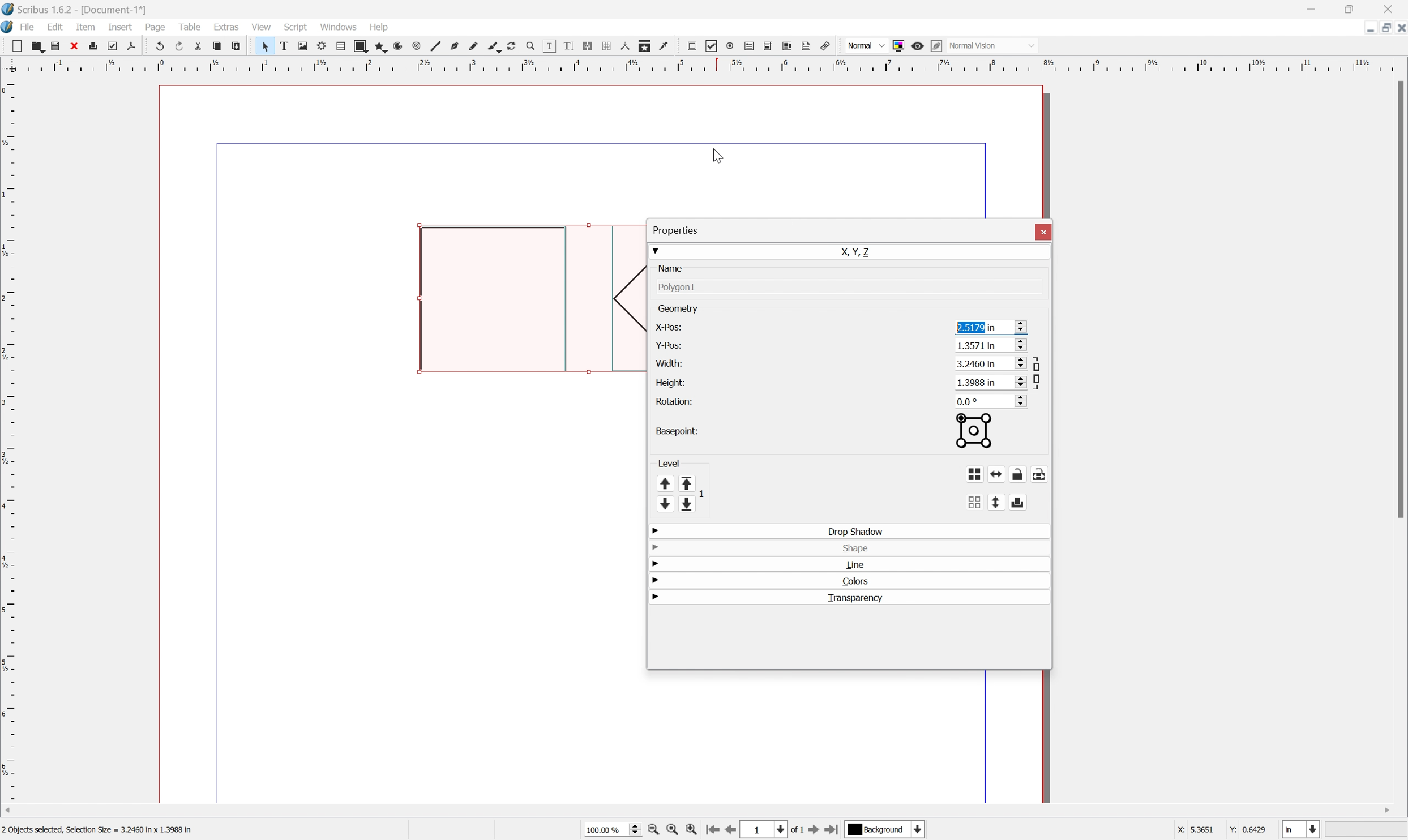 The width and height of the screenshot is (1408, 840). What do you see at coordinates (568, 47) in the screenshot?
I see `edit text with story editor` at bounding box center [568, 47].